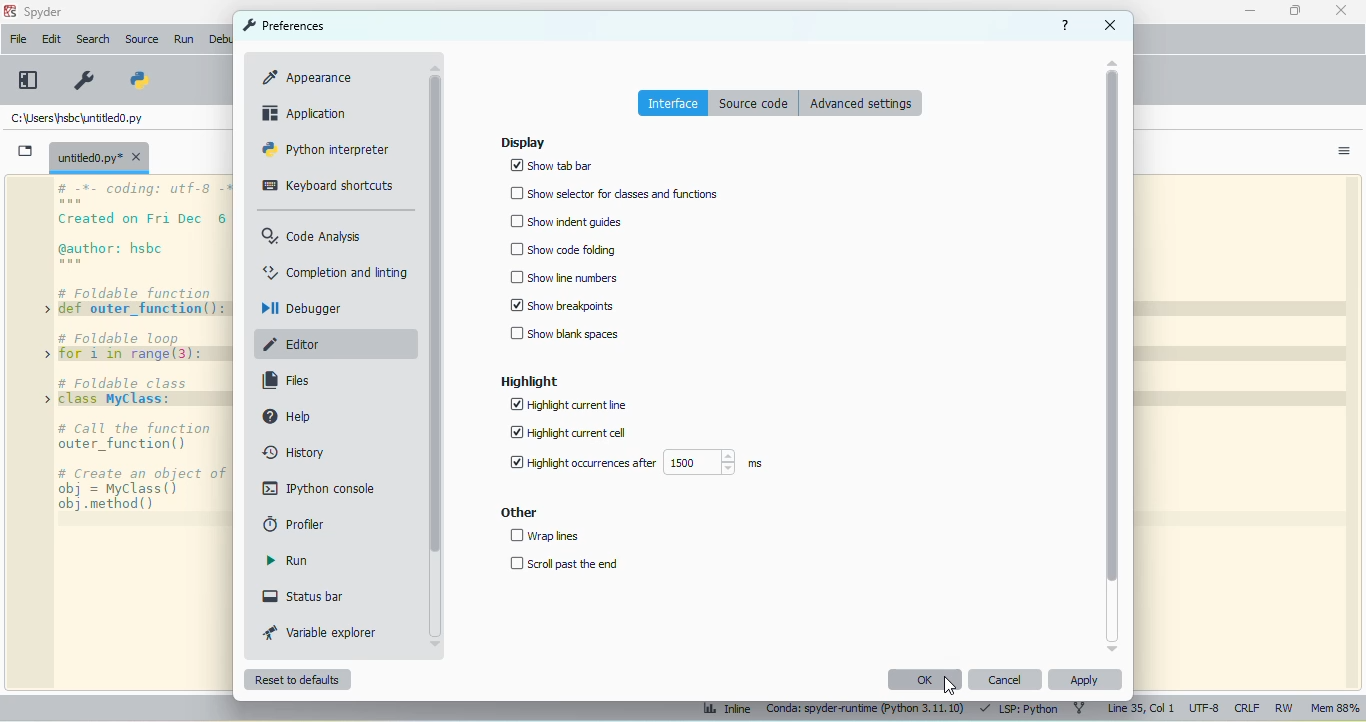  What do you see at coordinates (522, 142) in the screenshot?
I see `display` at bounding box center [522, 142].